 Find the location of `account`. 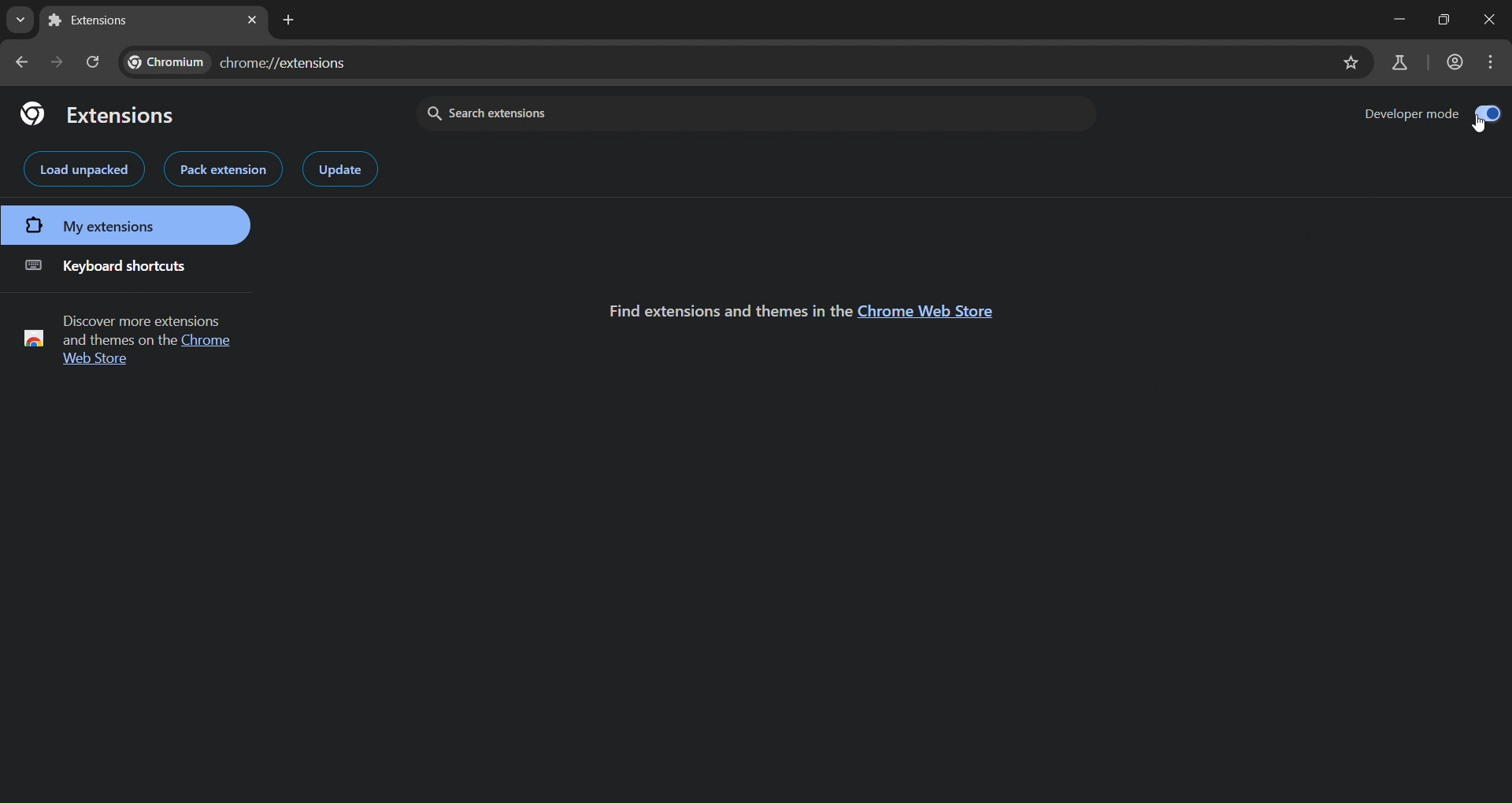

account is located at coordinates (1455, 59).